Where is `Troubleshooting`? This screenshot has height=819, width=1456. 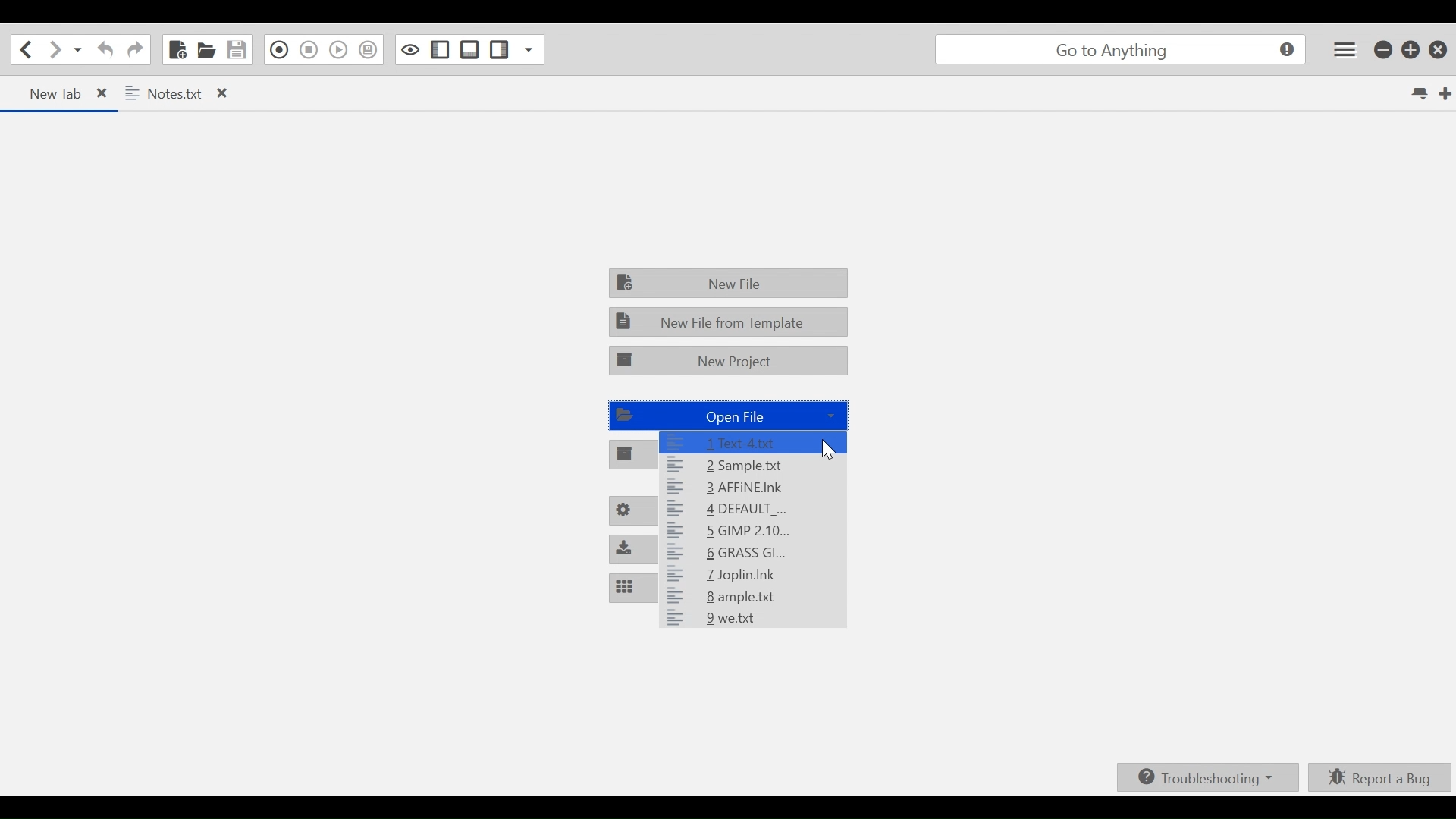
Troubleshooting is located at coordinates (1205, 779).